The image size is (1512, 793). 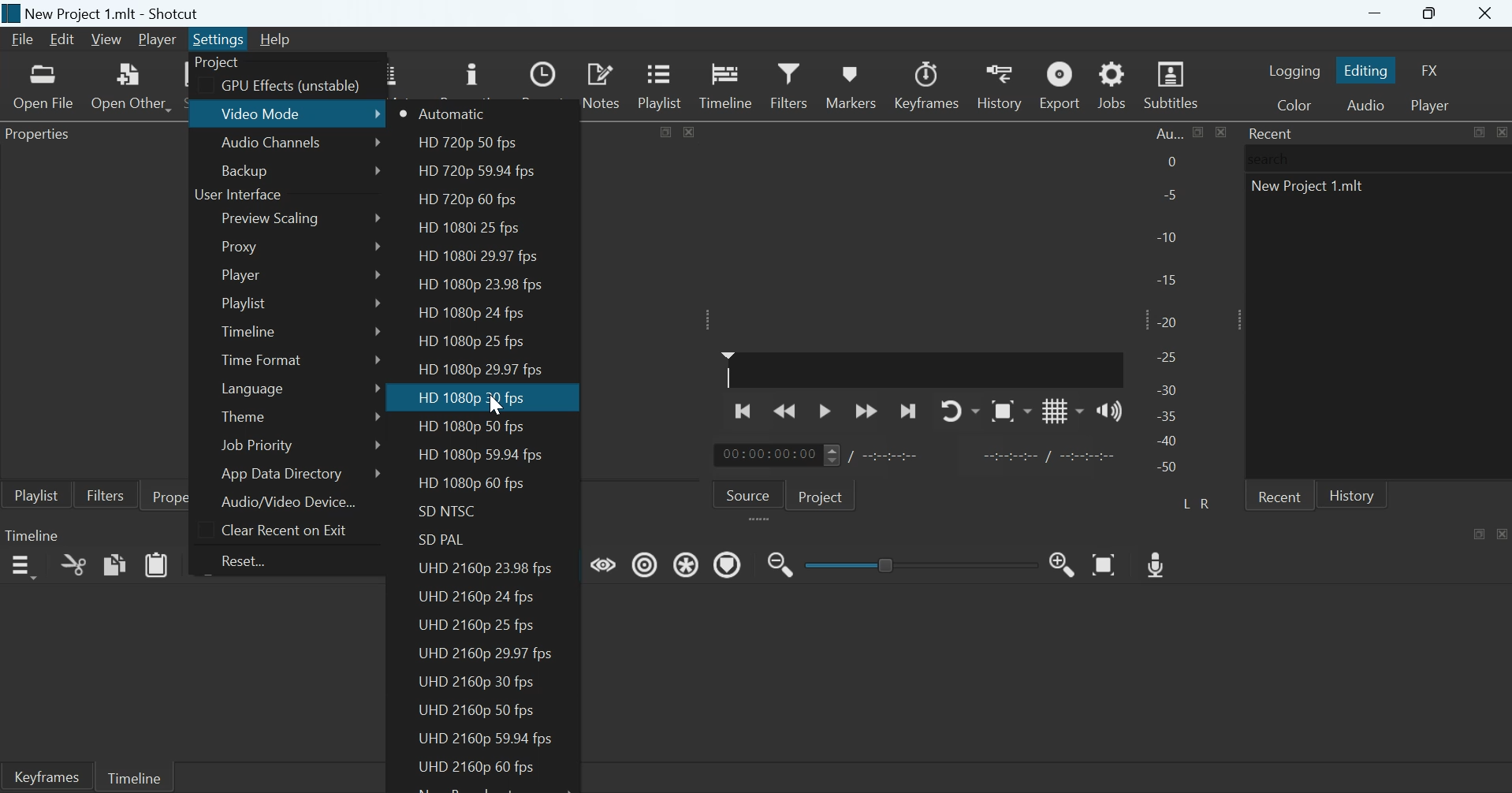 What do you see at coordinates (289, 501) in the screenshot?
I see `Audio/Video Device` at bounding box center [289, 501].